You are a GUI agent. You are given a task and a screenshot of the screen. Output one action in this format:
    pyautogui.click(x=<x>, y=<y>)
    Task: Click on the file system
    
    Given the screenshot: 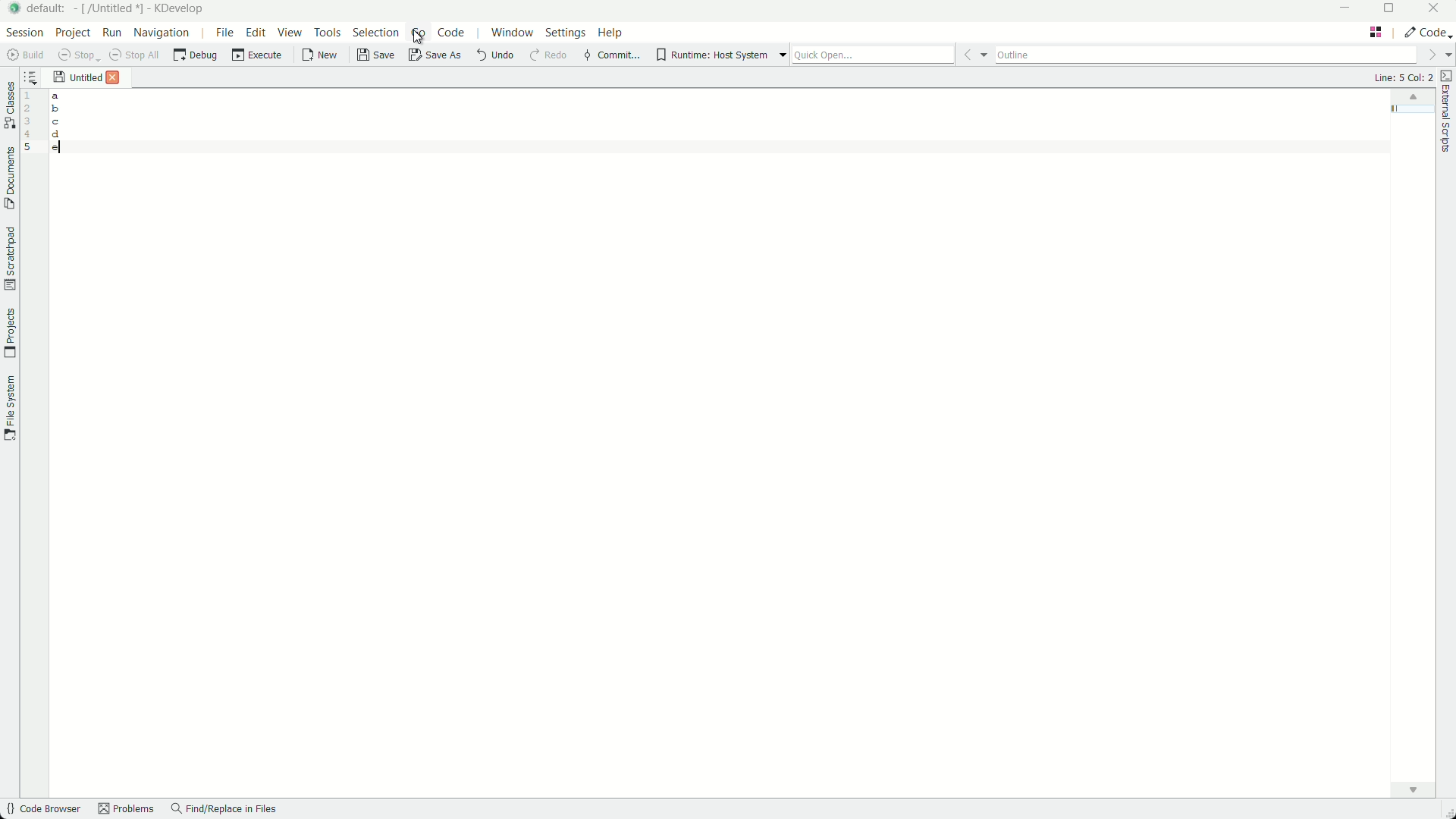 What is the action you would take?
    pyautogui.click(x=10, y=411)
    